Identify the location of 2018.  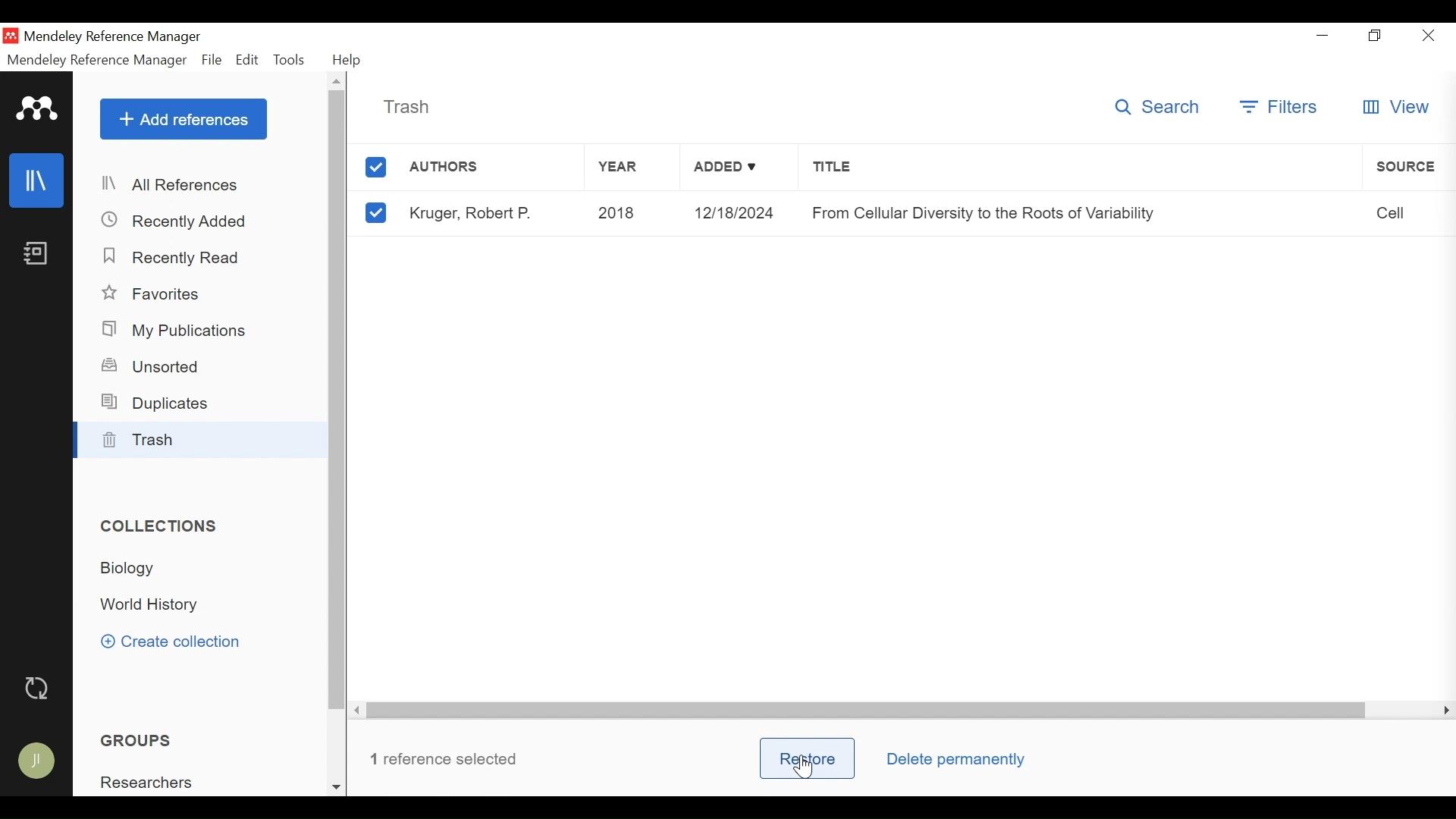
(630, 212).